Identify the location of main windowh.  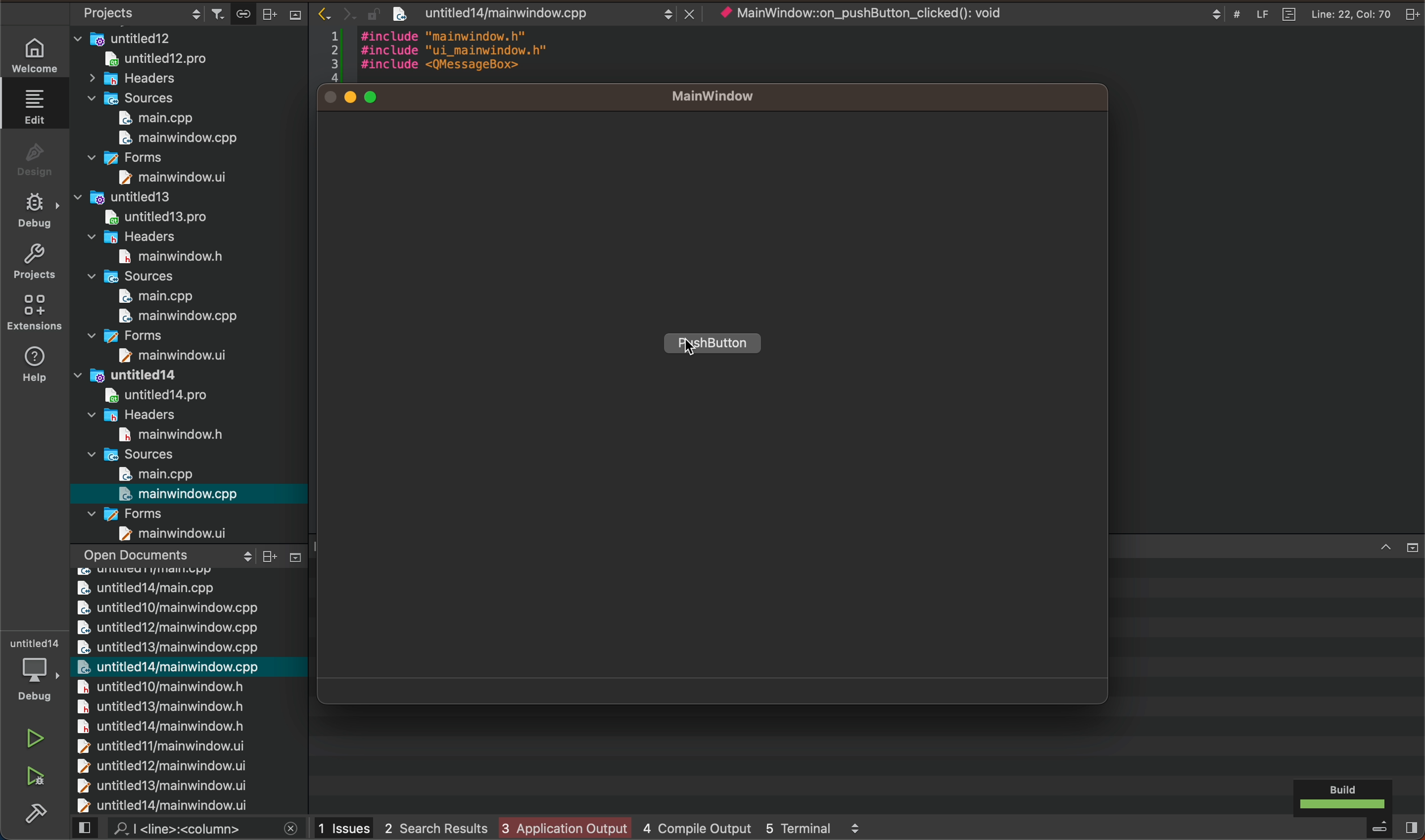
(161, 433).